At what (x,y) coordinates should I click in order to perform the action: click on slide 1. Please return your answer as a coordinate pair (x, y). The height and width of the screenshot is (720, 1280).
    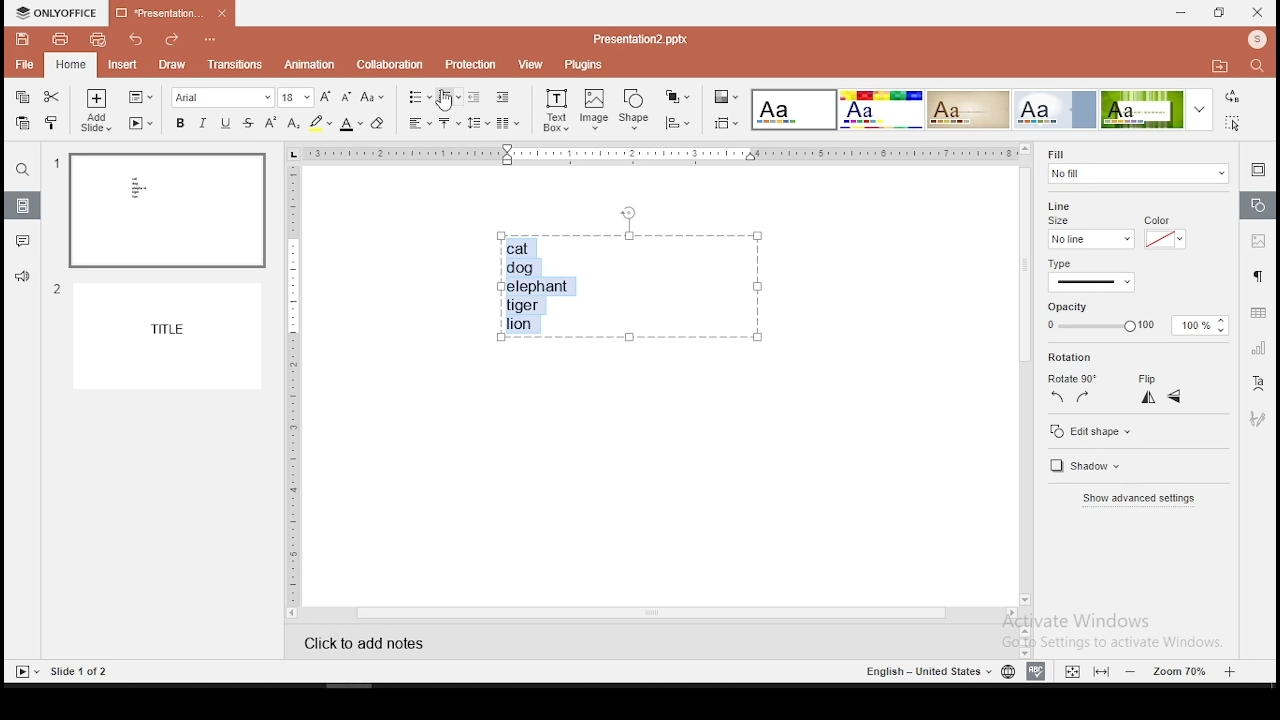
    Looking at the image, I should click on (160, 210).